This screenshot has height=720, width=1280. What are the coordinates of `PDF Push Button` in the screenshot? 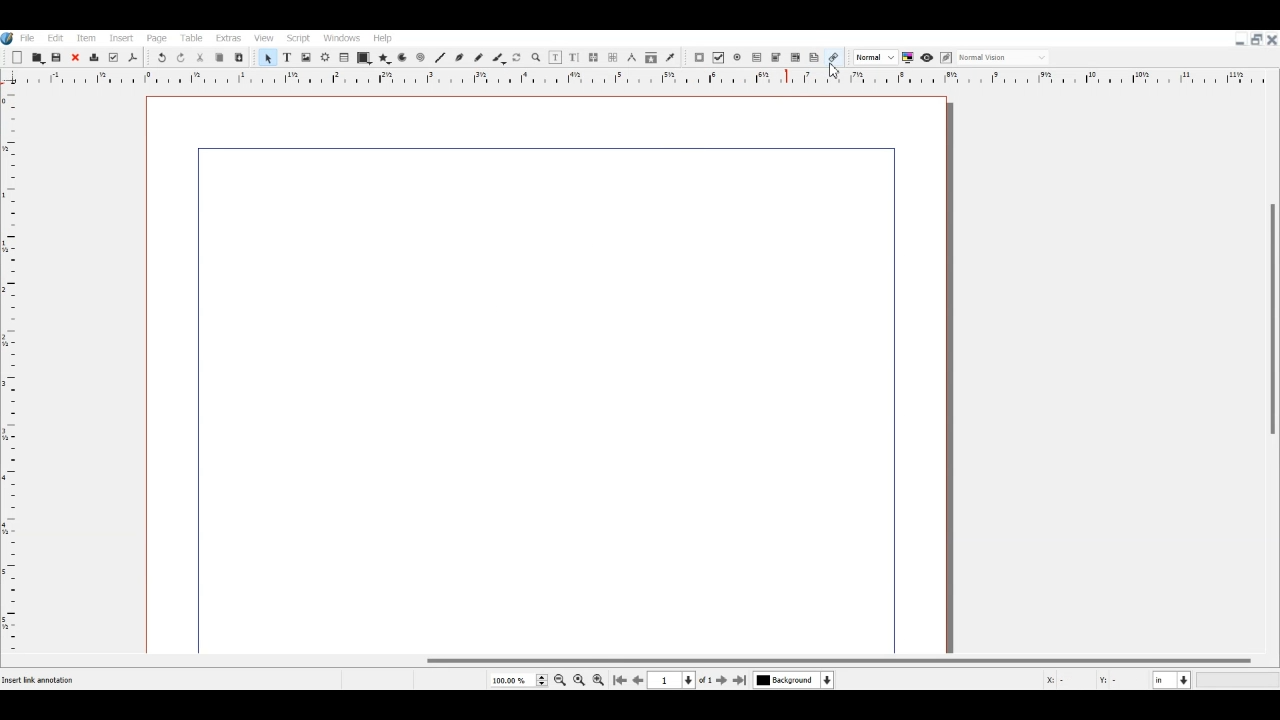 It's located at (699, 58).